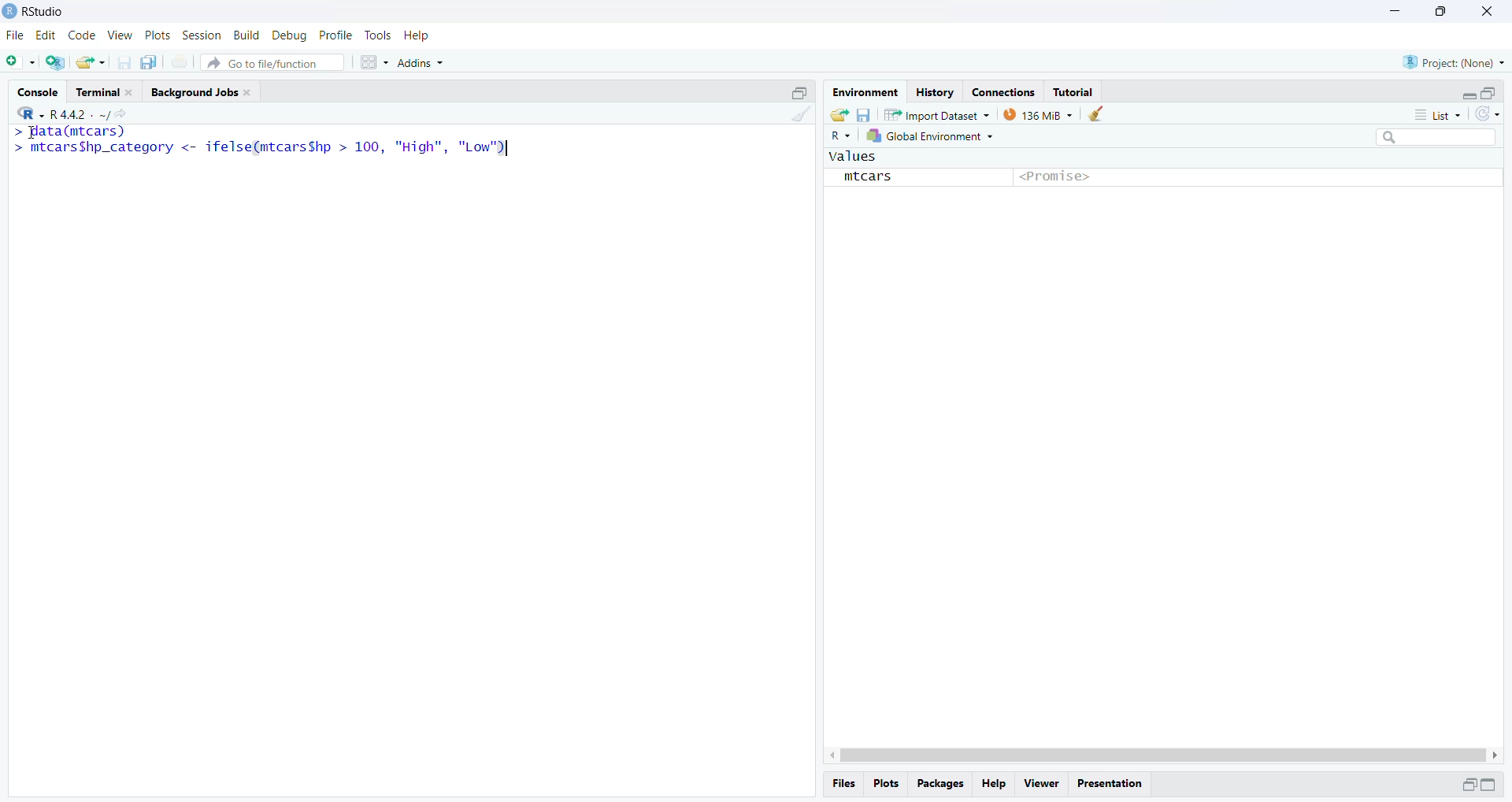 The width and height of the screenshot is (1512, 802). Describe the element at coordinates (74, 113) in the screenshot. I see `R.4.4.2~/` at that location.